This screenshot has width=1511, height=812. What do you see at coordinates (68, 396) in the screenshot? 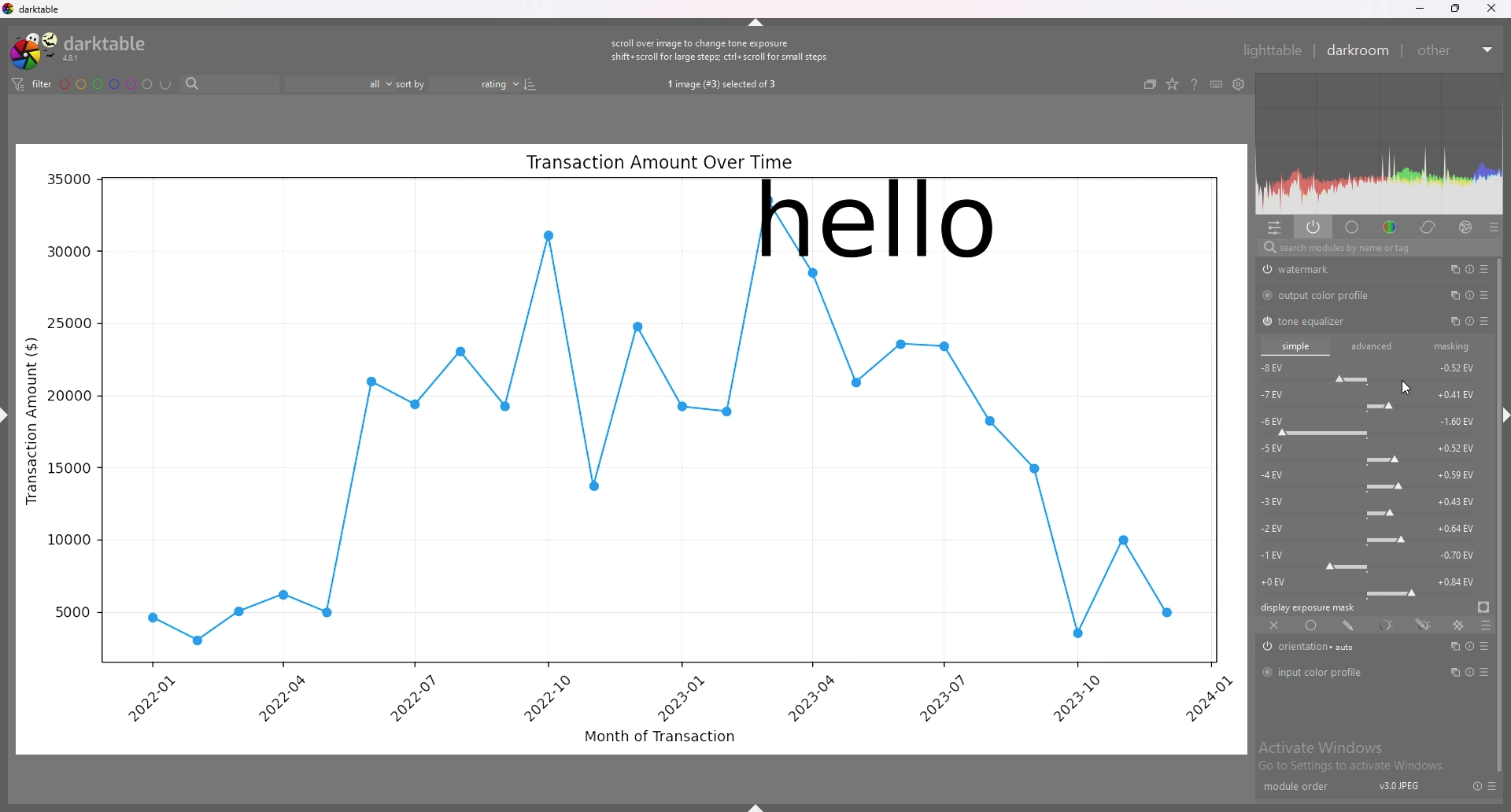
I see `20000` at bounding box center [68, 396].